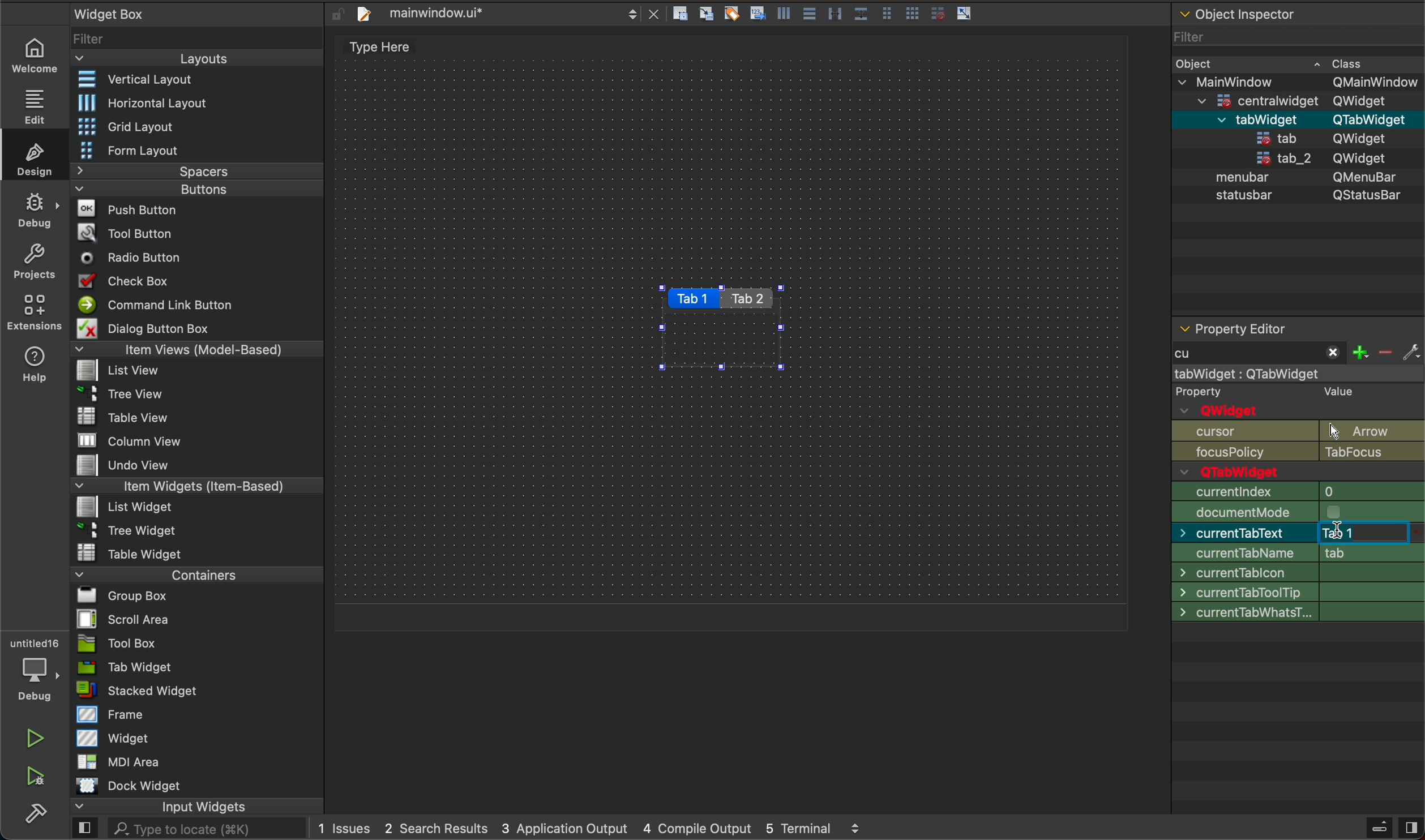  Describe the element at coordinates (1296, 630) in the screenshot. I see `font` at that location.